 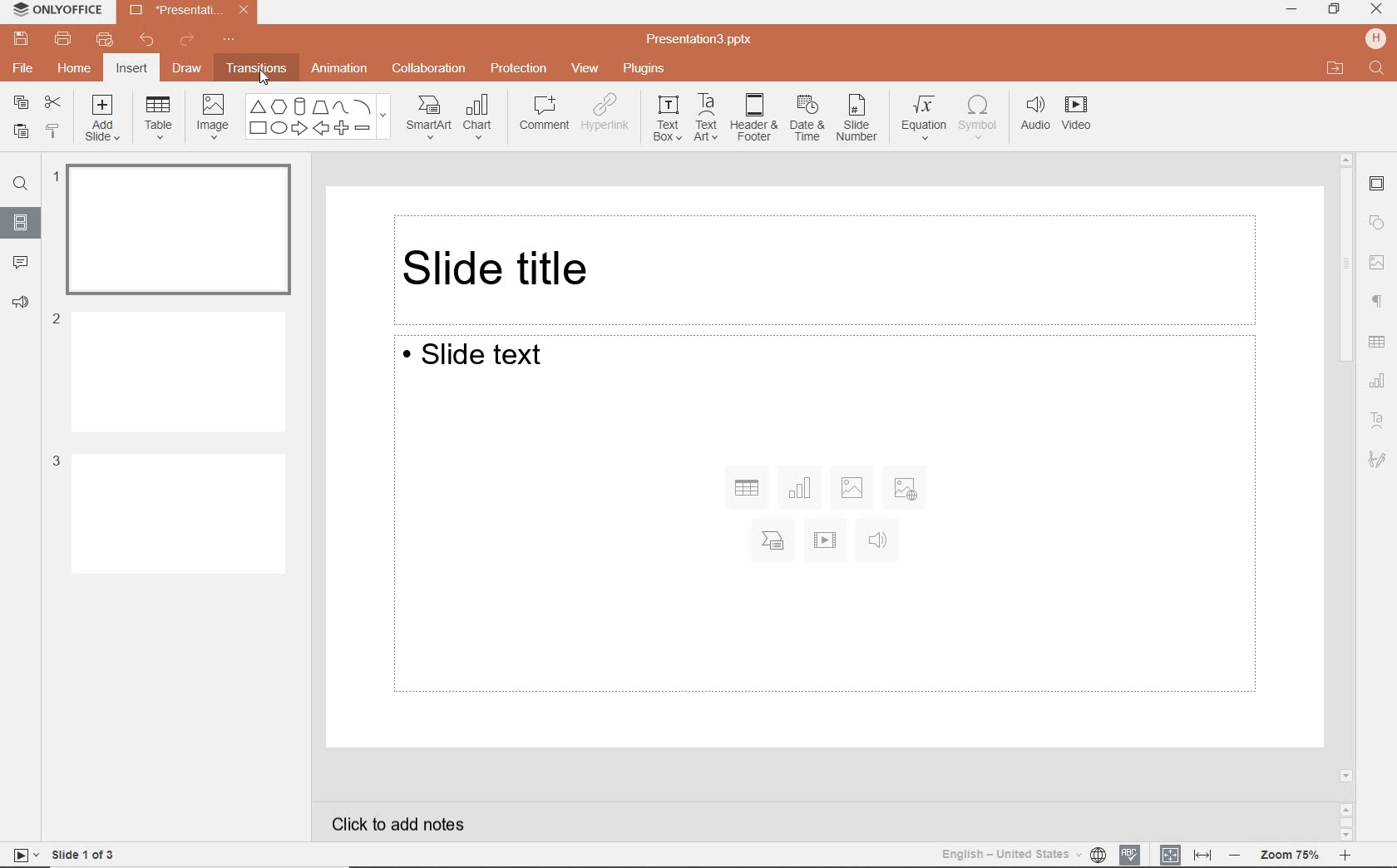 What do you see at coordinates (405, 823) in the screenshot?
I see `click to add notes` at bounding box center [405, 823].